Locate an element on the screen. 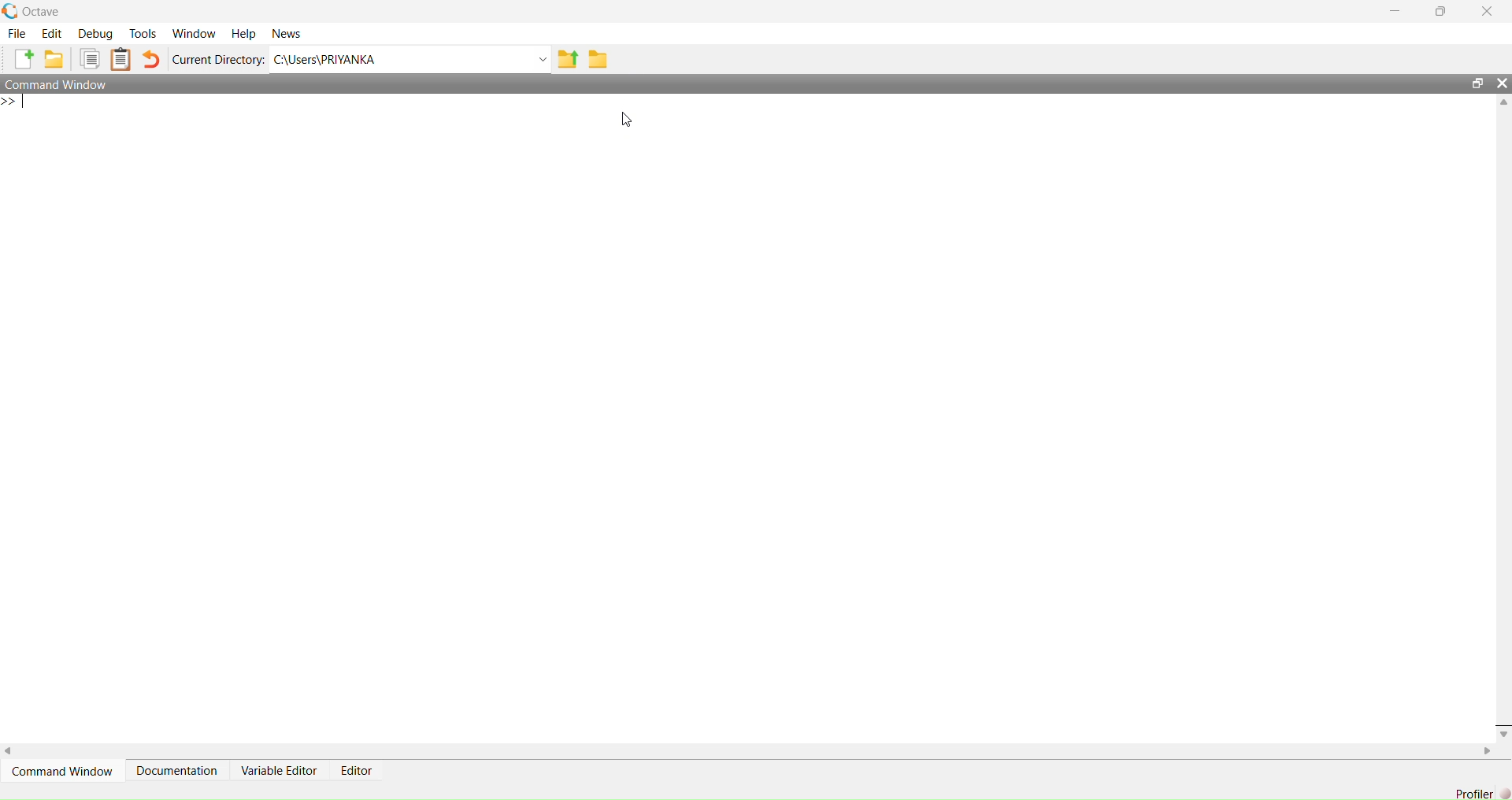  Close is located at coordinates (1503, 728).